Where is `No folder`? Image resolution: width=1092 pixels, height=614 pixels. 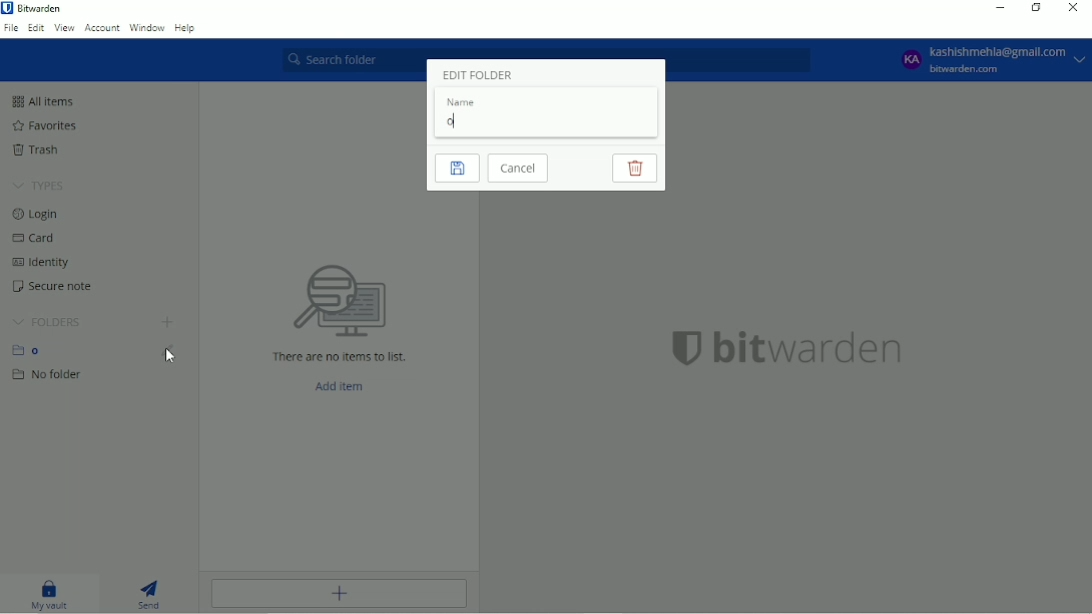
No folder is located at coordinates (49, 375).